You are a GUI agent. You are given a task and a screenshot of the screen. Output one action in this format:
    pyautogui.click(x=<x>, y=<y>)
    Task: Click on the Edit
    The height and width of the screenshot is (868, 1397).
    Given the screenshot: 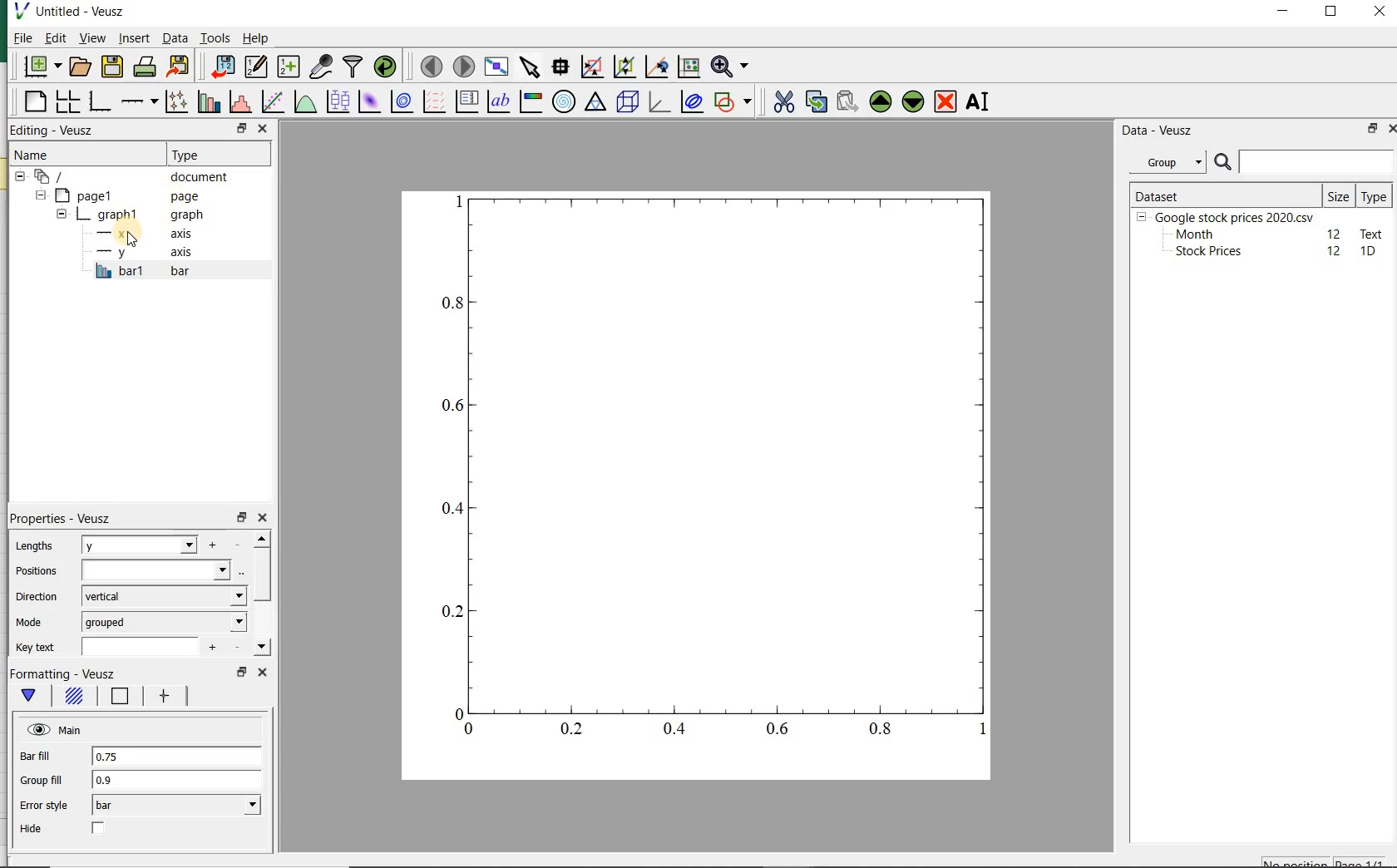 What is the action you would take?
    pyautogui.click(x=54, y=37)
    